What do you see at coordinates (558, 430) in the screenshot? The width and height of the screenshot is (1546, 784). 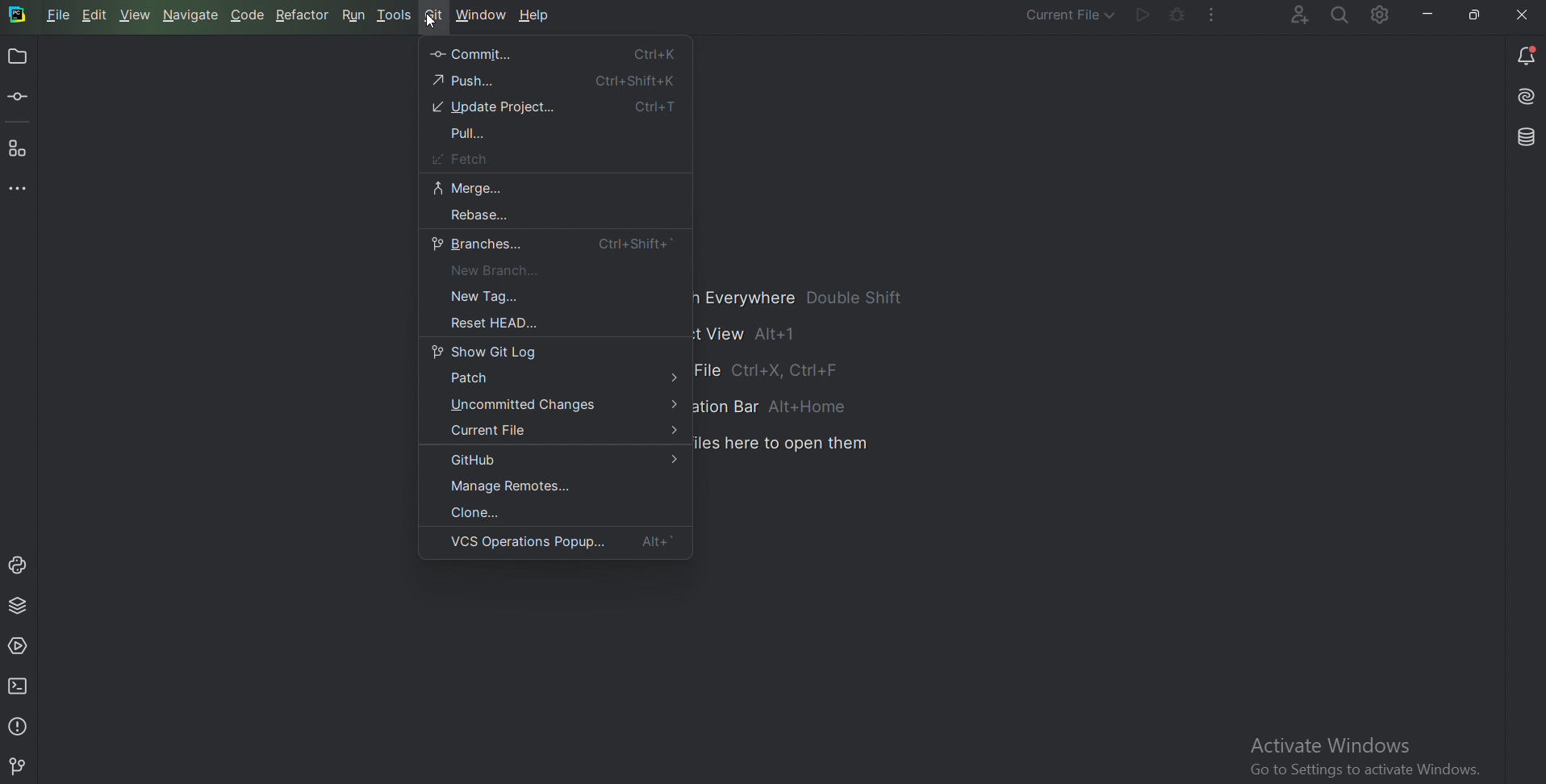 I see `Current file` at bounding box center [558, 430].